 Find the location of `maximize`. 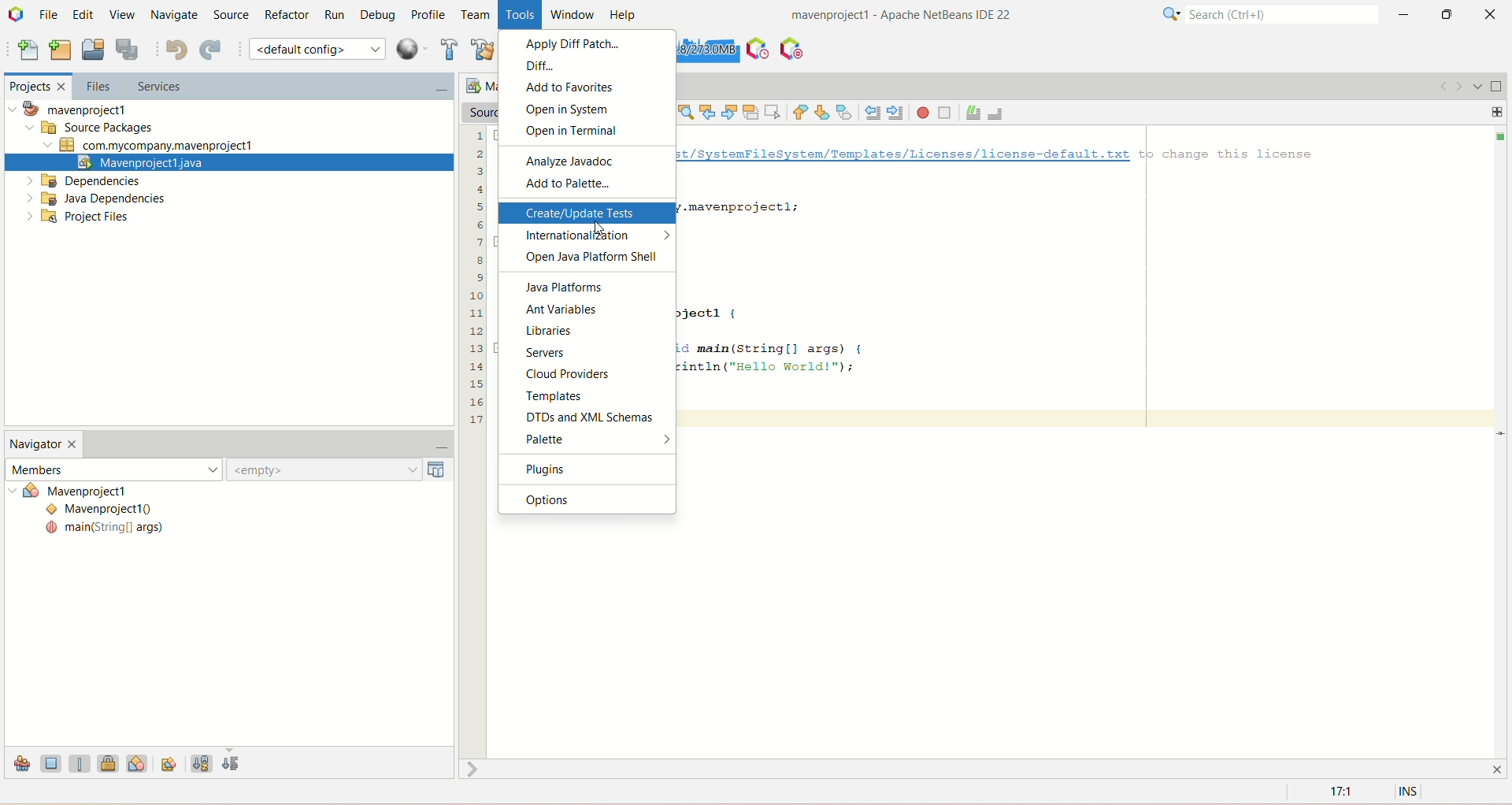

maximize is located at coordinates (1497, 87).